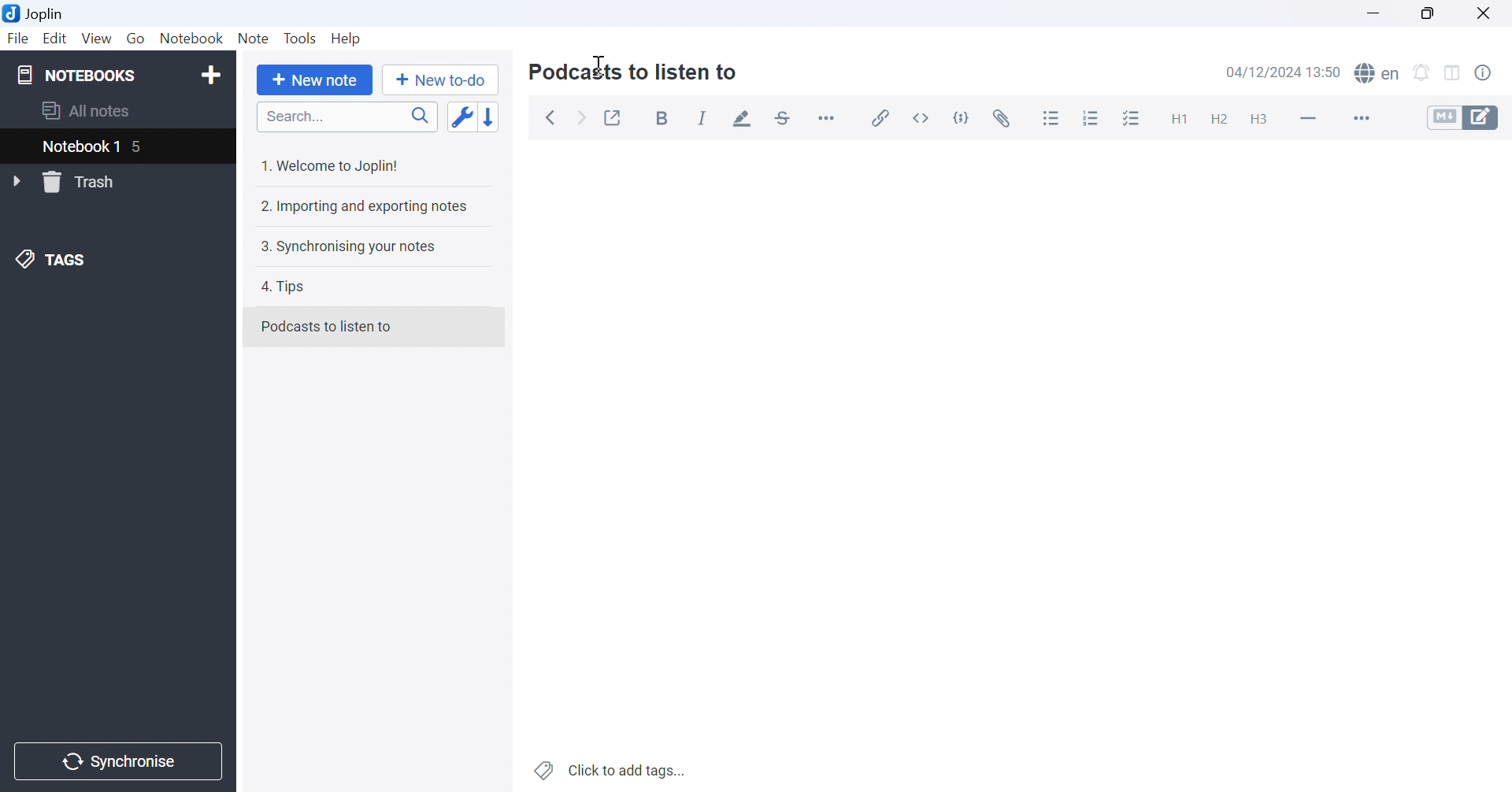  I want to click on Italic, so click(702, 119).